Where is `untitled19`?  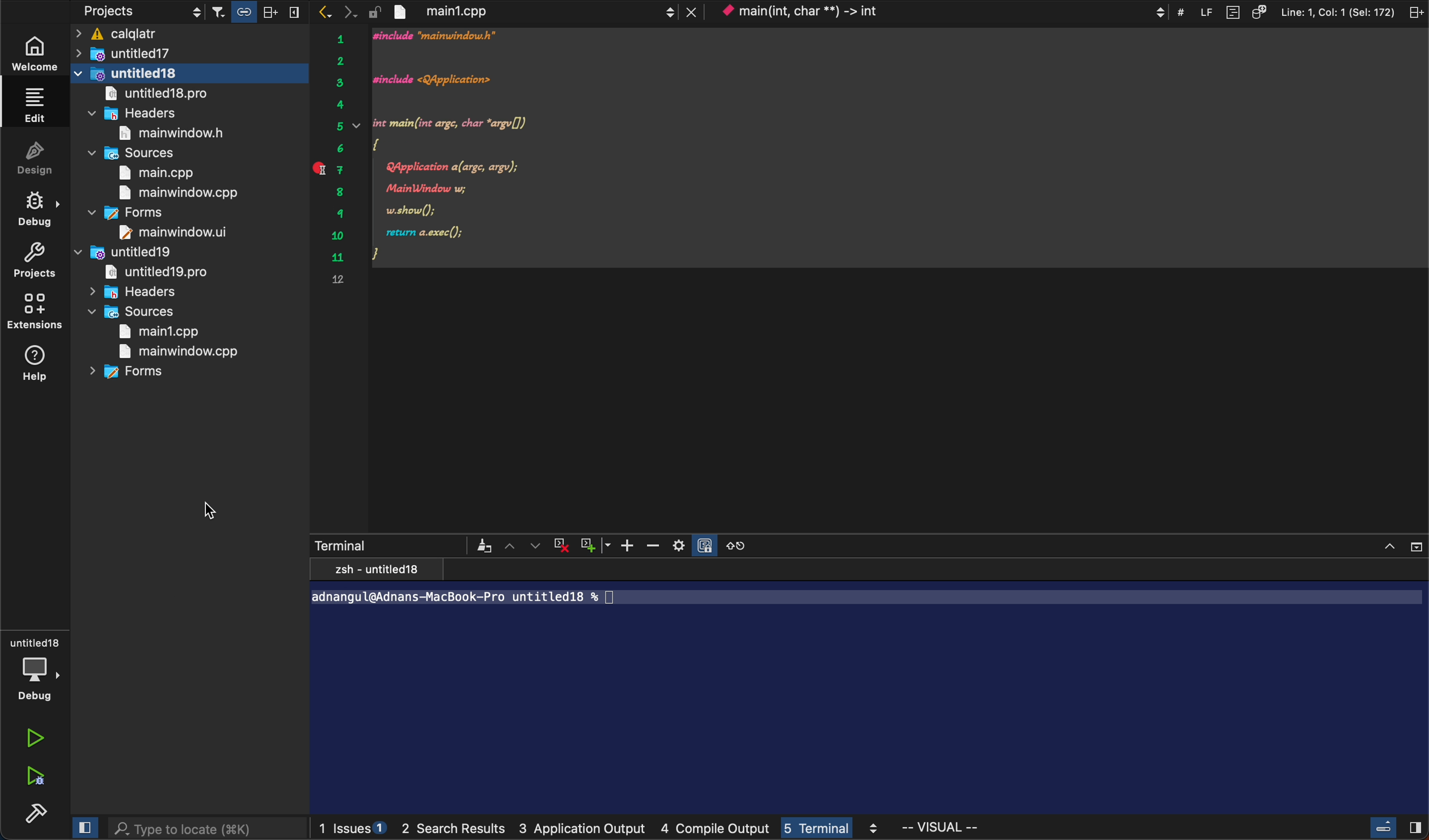 untitled19 is located at coordinates (125, 251).